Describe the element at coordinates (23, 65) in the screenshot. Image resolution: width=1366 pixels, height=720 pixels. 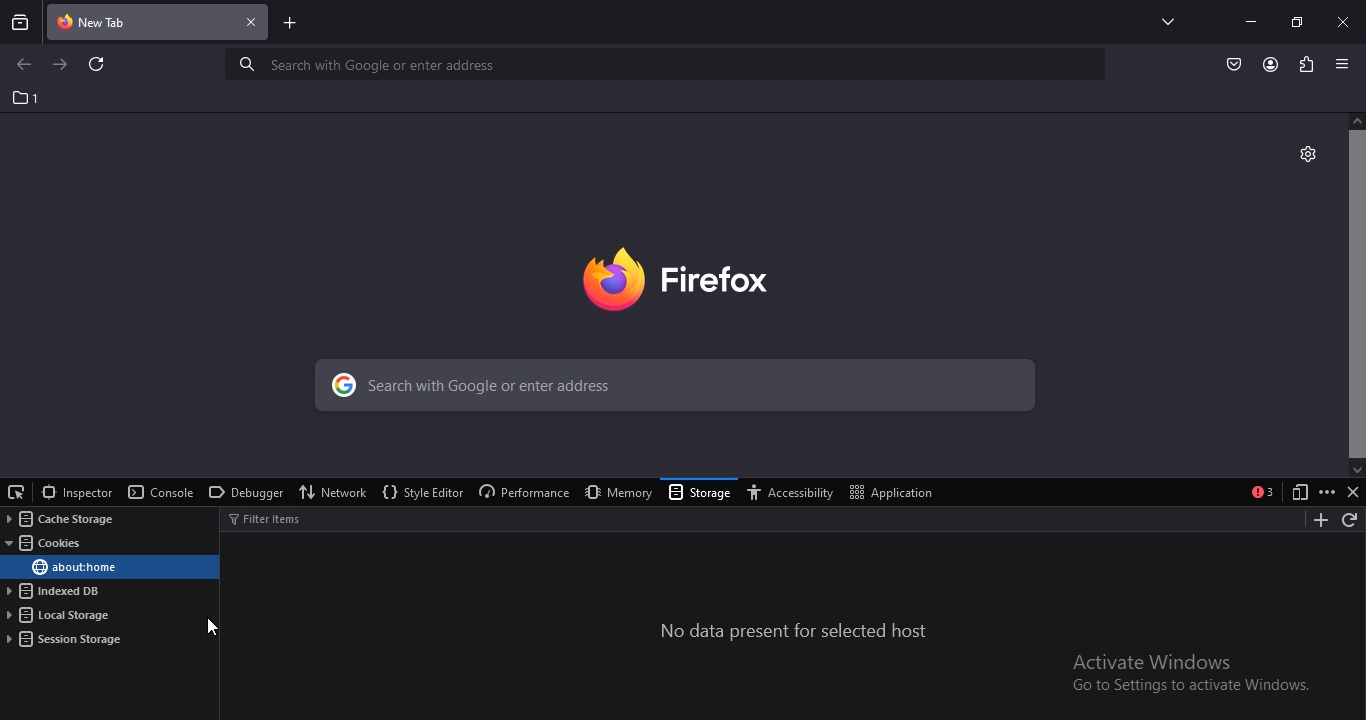
I see `click to go to previous page` at that location.